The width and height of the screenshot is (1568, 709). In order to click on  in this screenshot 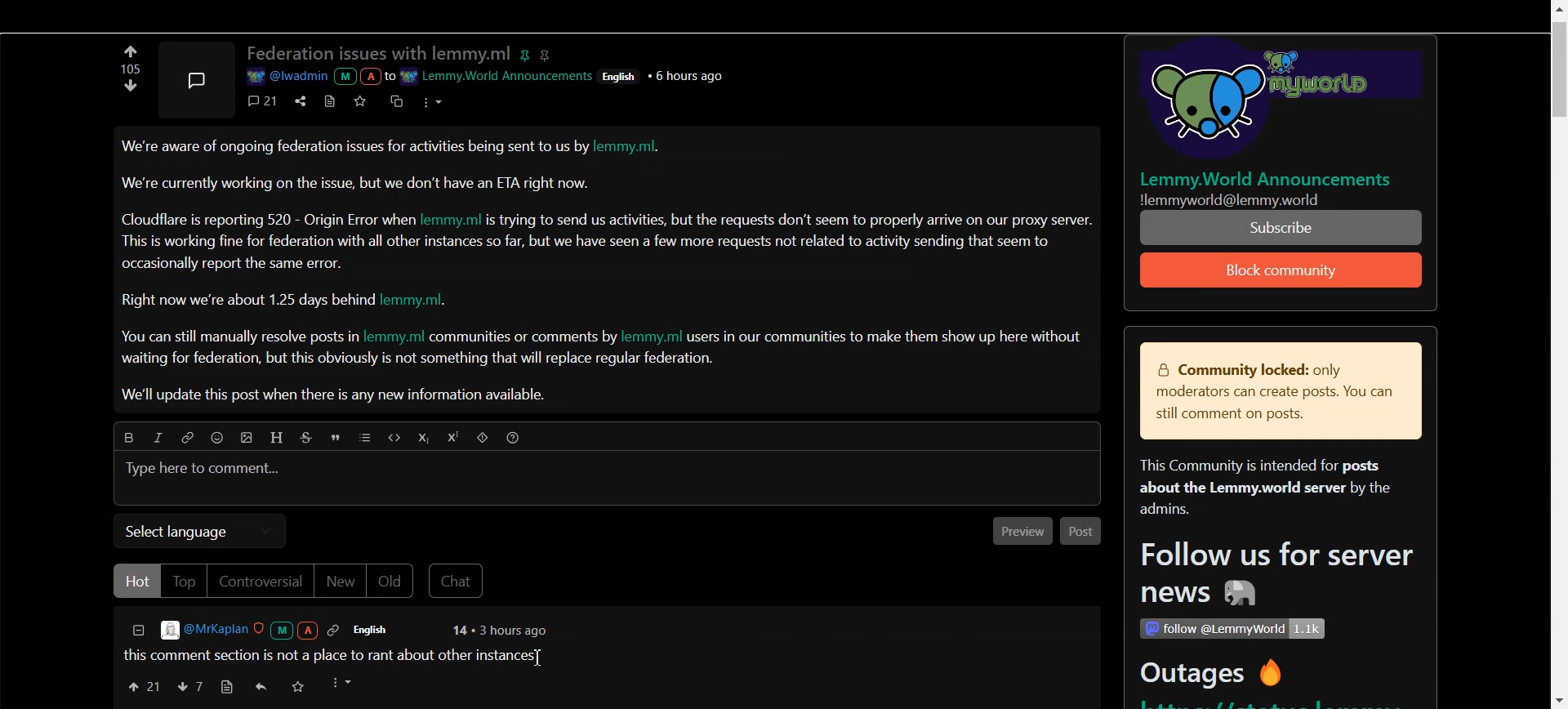, I will do `click(1252, 199)`.